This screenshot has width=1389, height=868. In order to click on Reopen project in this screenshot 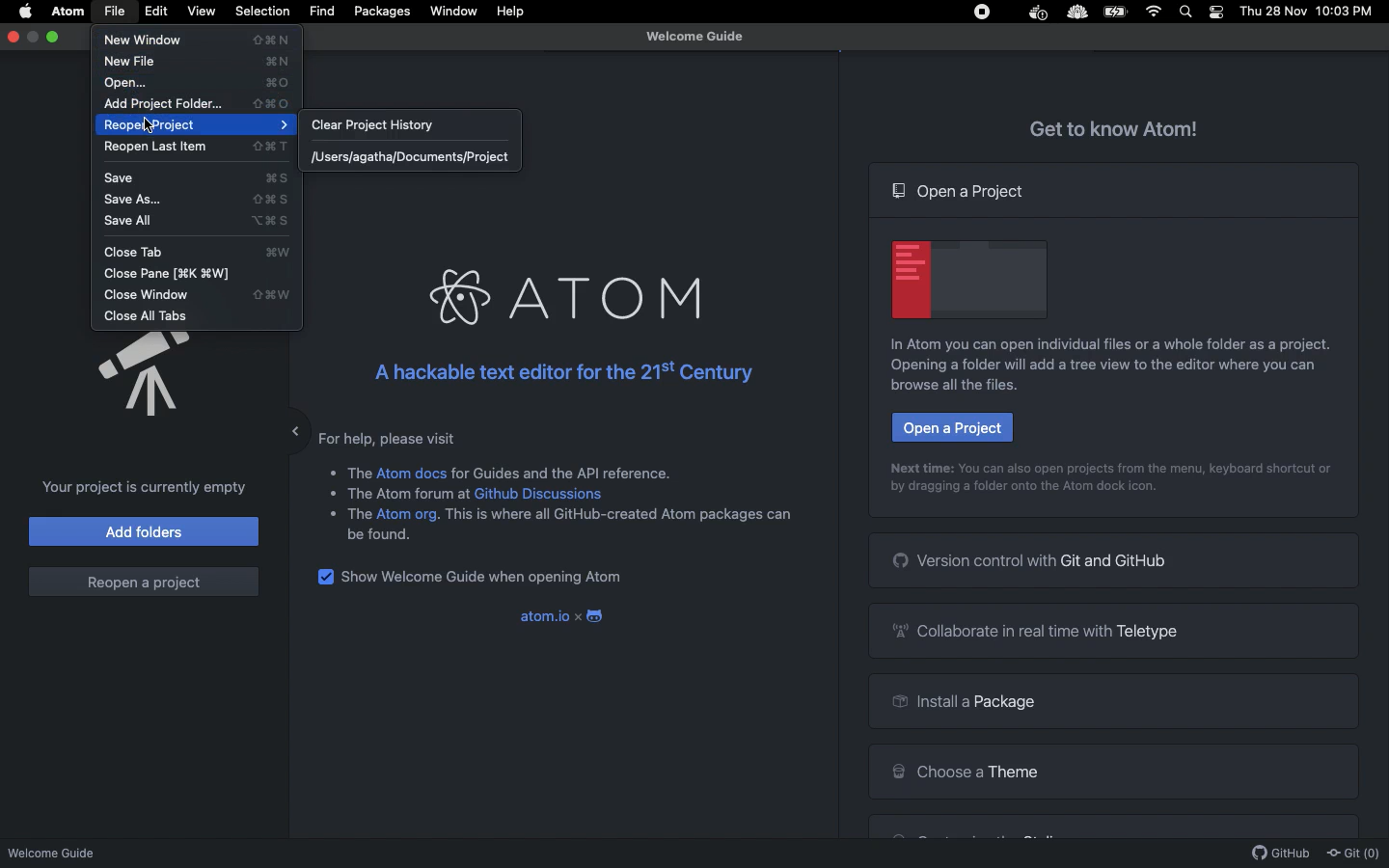, I will do `click(201, 125)`.